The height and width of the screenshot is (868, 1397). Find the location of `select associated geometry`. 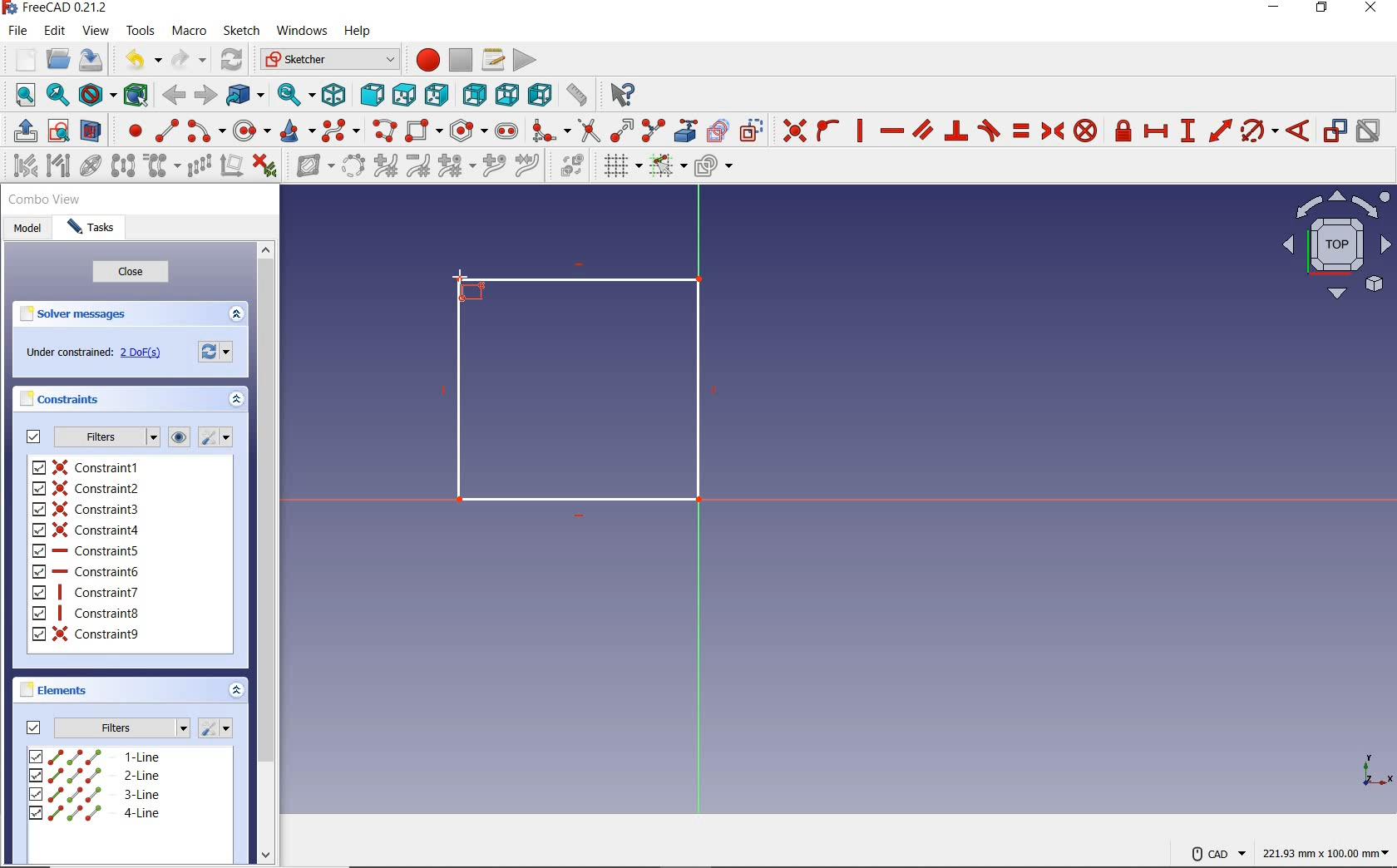

select associated geometry is located at coordinates (57, 166).